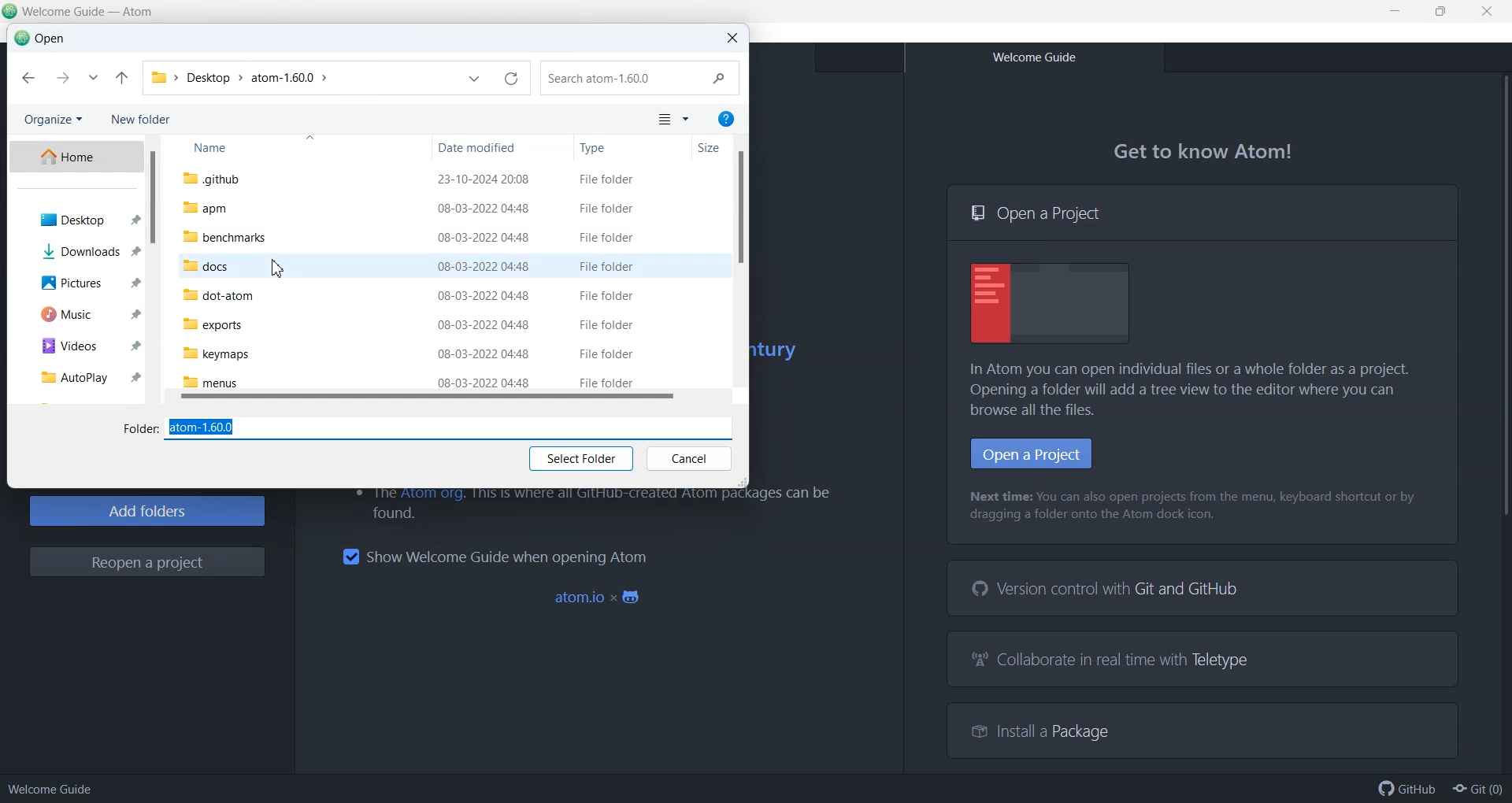  What do you see at coordinates (494, 557) in the screenshot?
I see `Show Welcome Guide when opening Atom` at bounding box center [494, 557].